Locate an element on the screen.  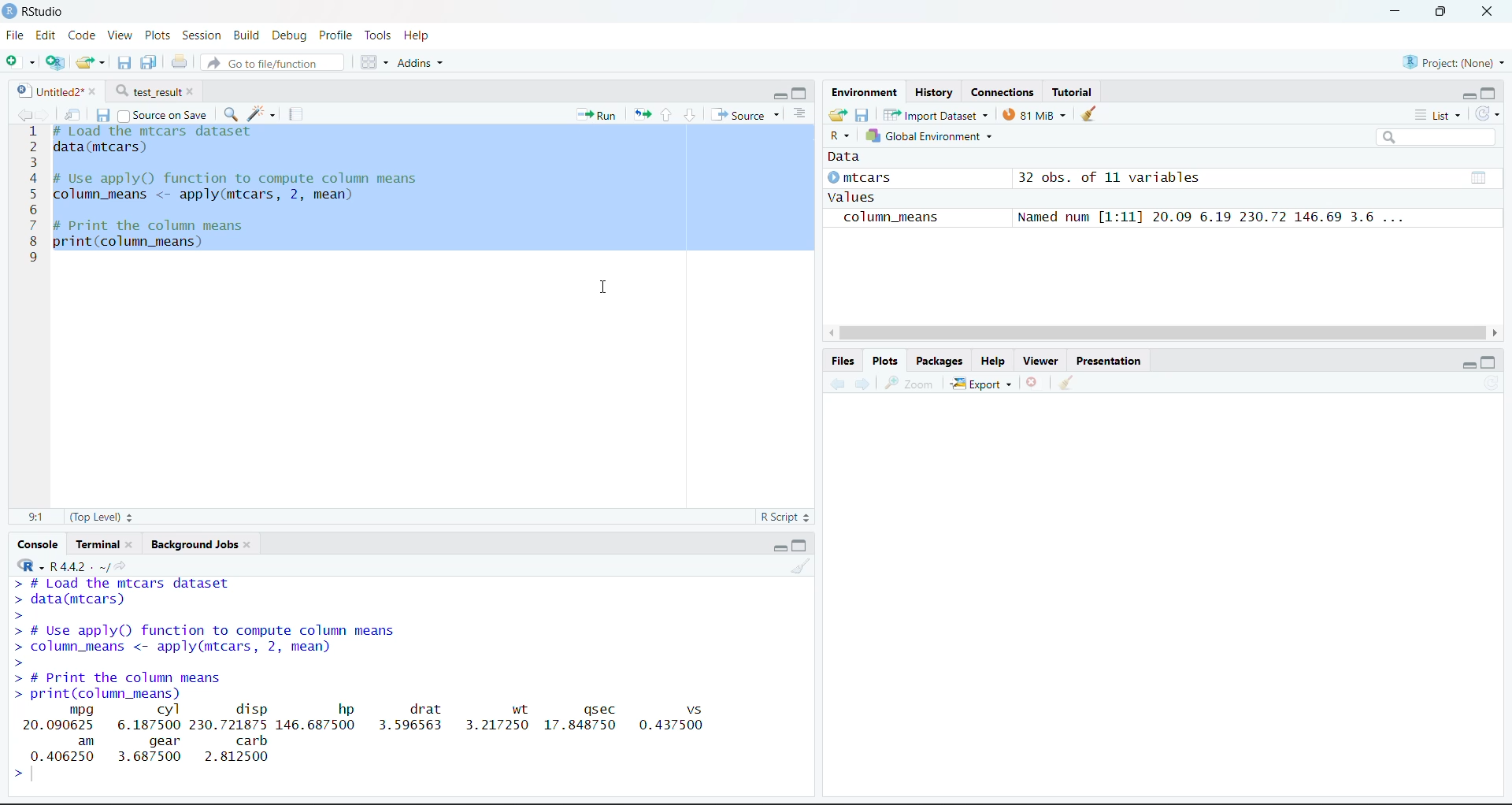
Refresh the list of objects in the environment is located at coordinates (1487, 113).